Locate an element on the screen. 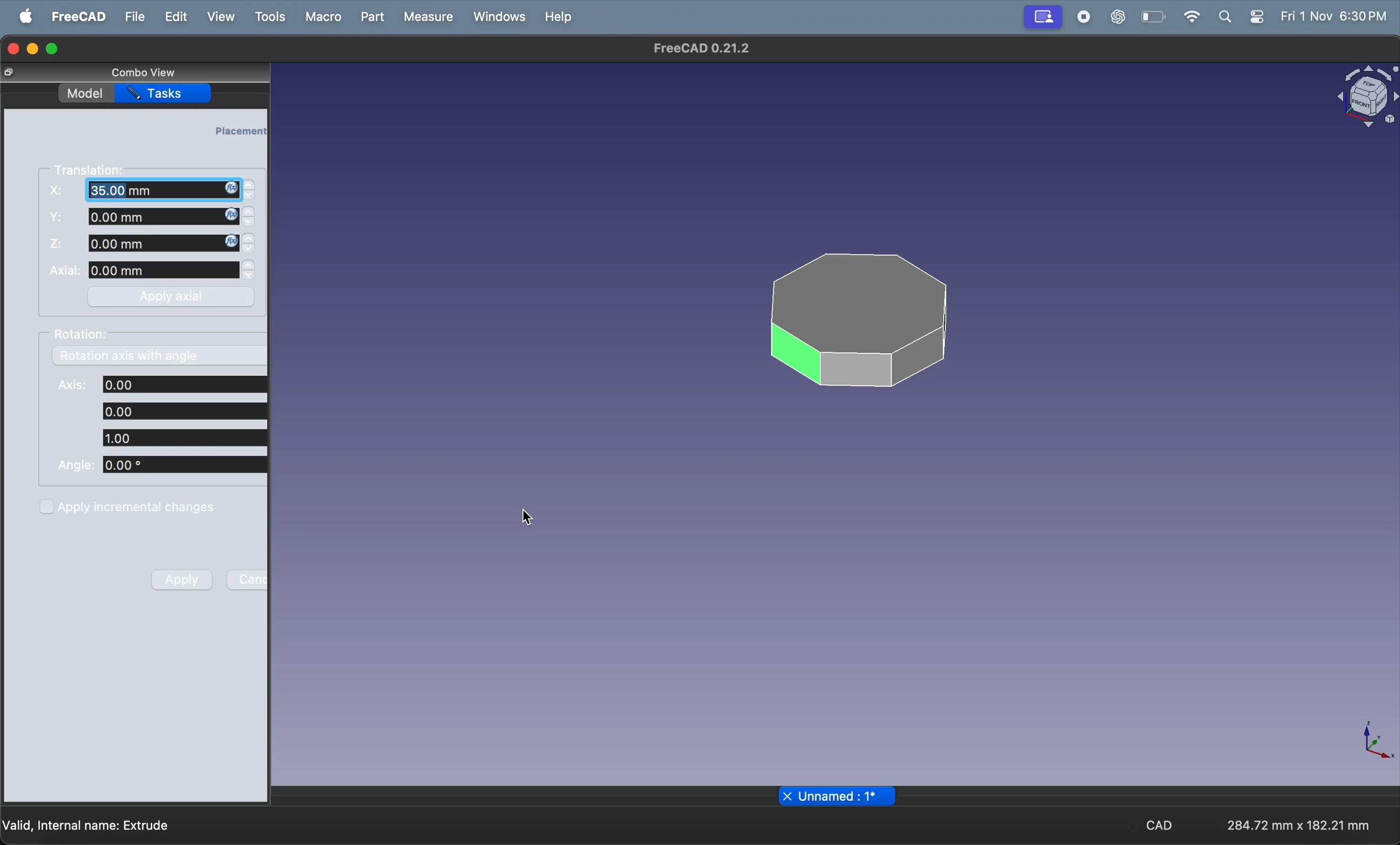  CAD is located at coordinates (1159, 826).